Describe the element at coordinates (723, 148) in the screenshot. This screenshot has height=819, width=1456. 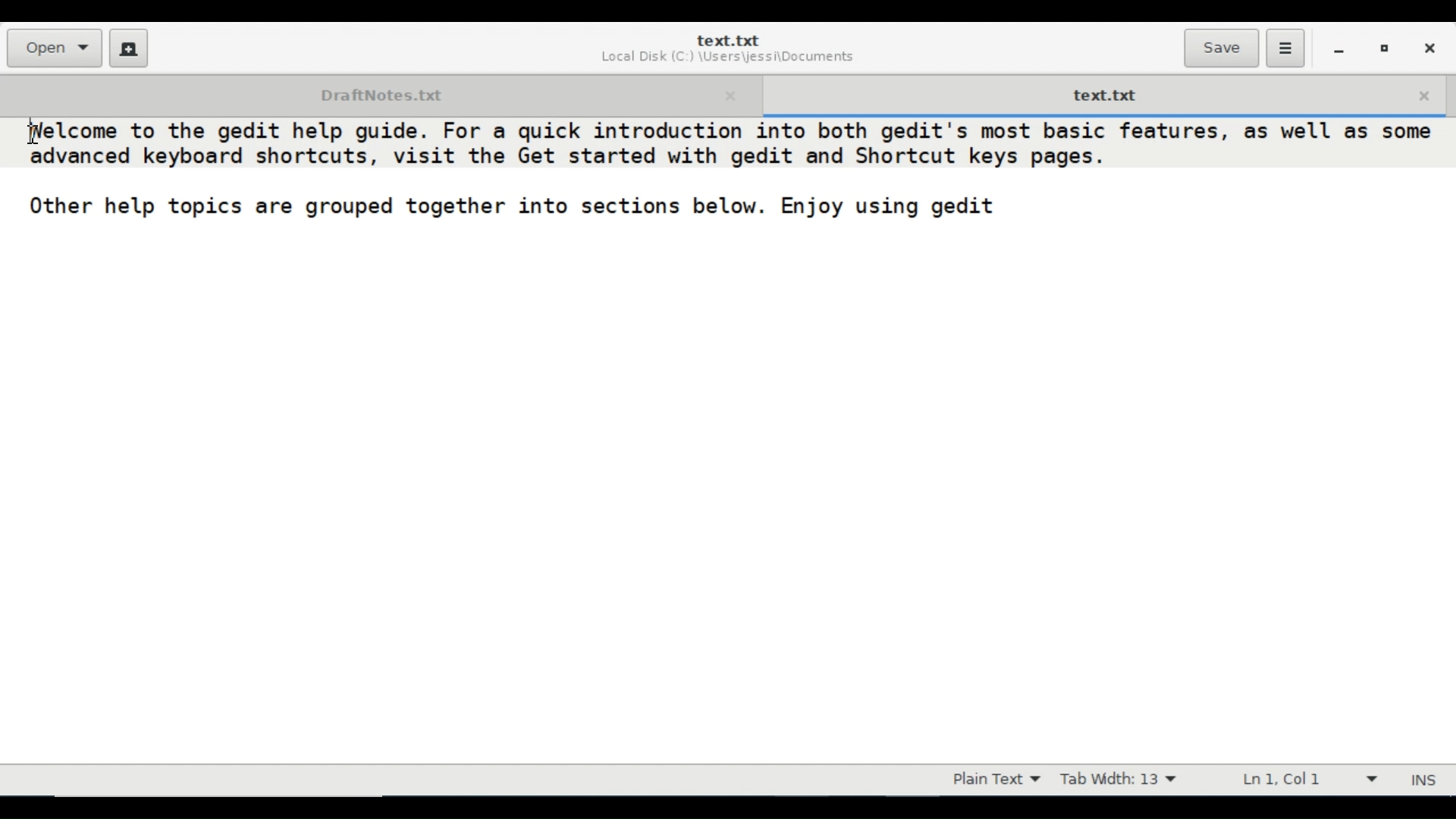
I see `Nelcome to the gedit help guide. For a quick introduction into both gedit's most basic features, as well as some
advanced keyboard shortcuts, visit the Get started with gedit and Shortcut keys pages.` at that location.